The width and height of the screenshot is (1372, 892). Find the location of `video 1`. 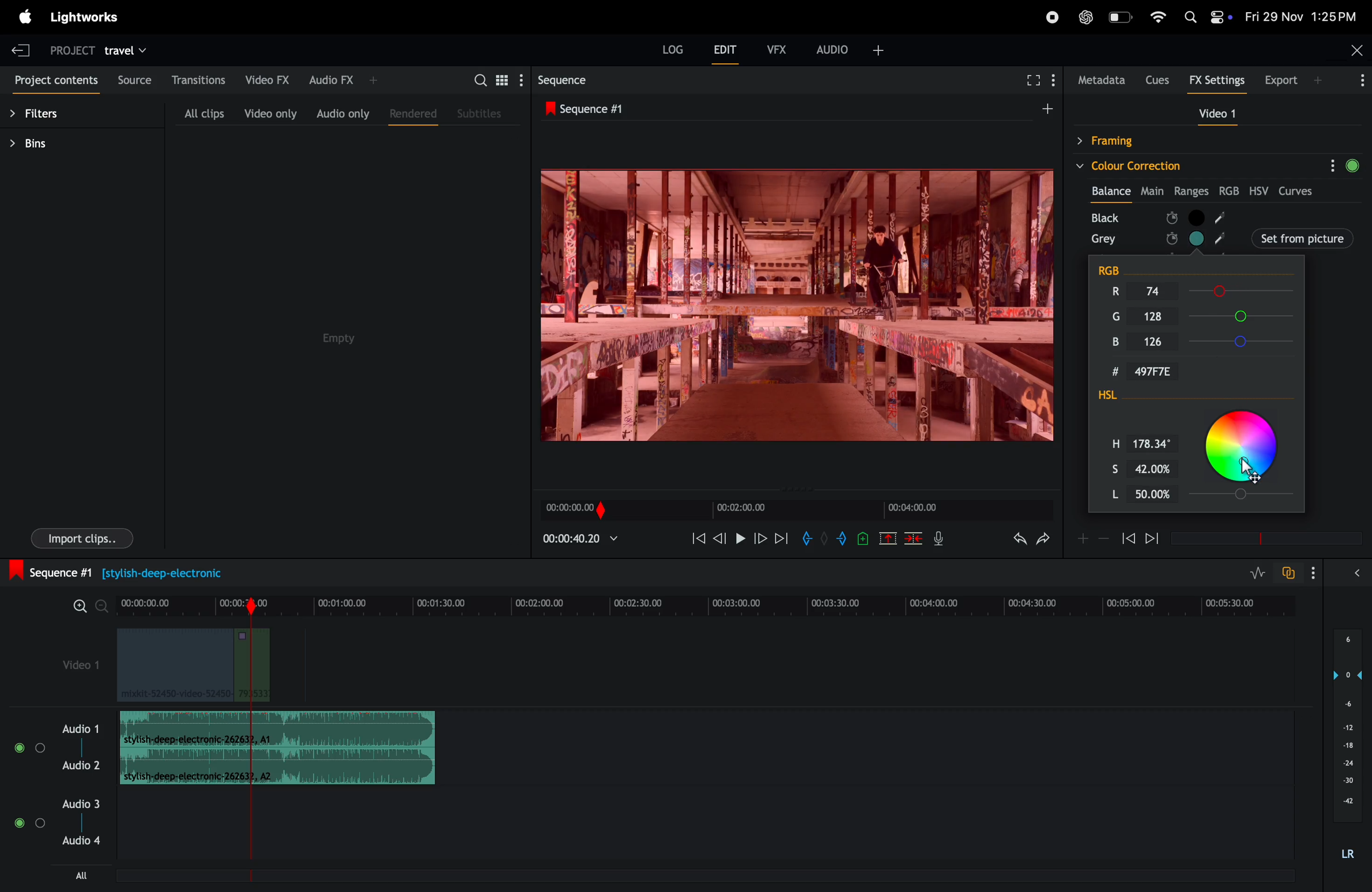

video 1 is located at coordinates (74, 662).